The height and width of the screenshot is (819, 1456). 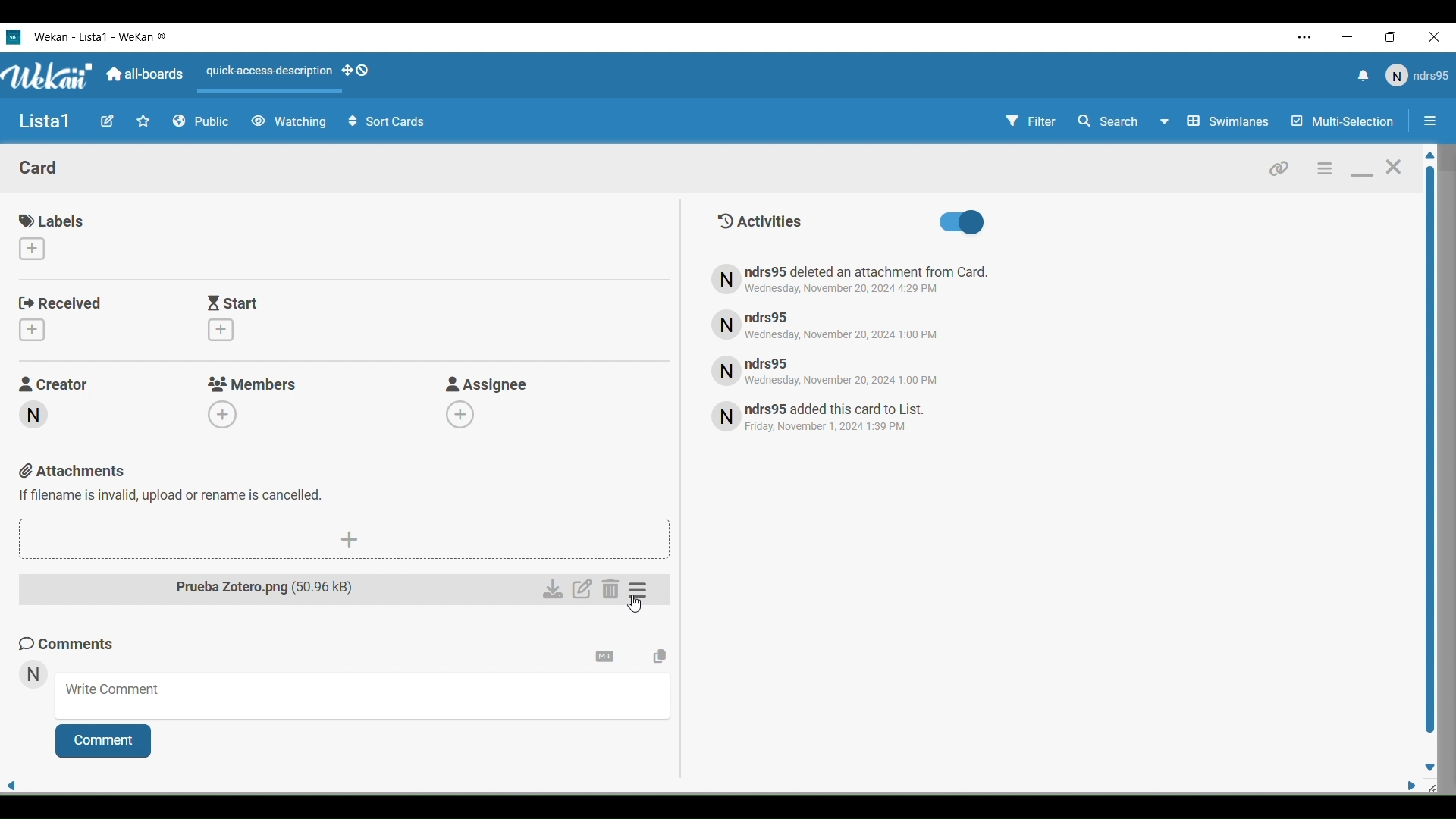 What do you see at coordinates (253, 384) in the screenshot?
I see `Members` at bounding box center [253, 384].